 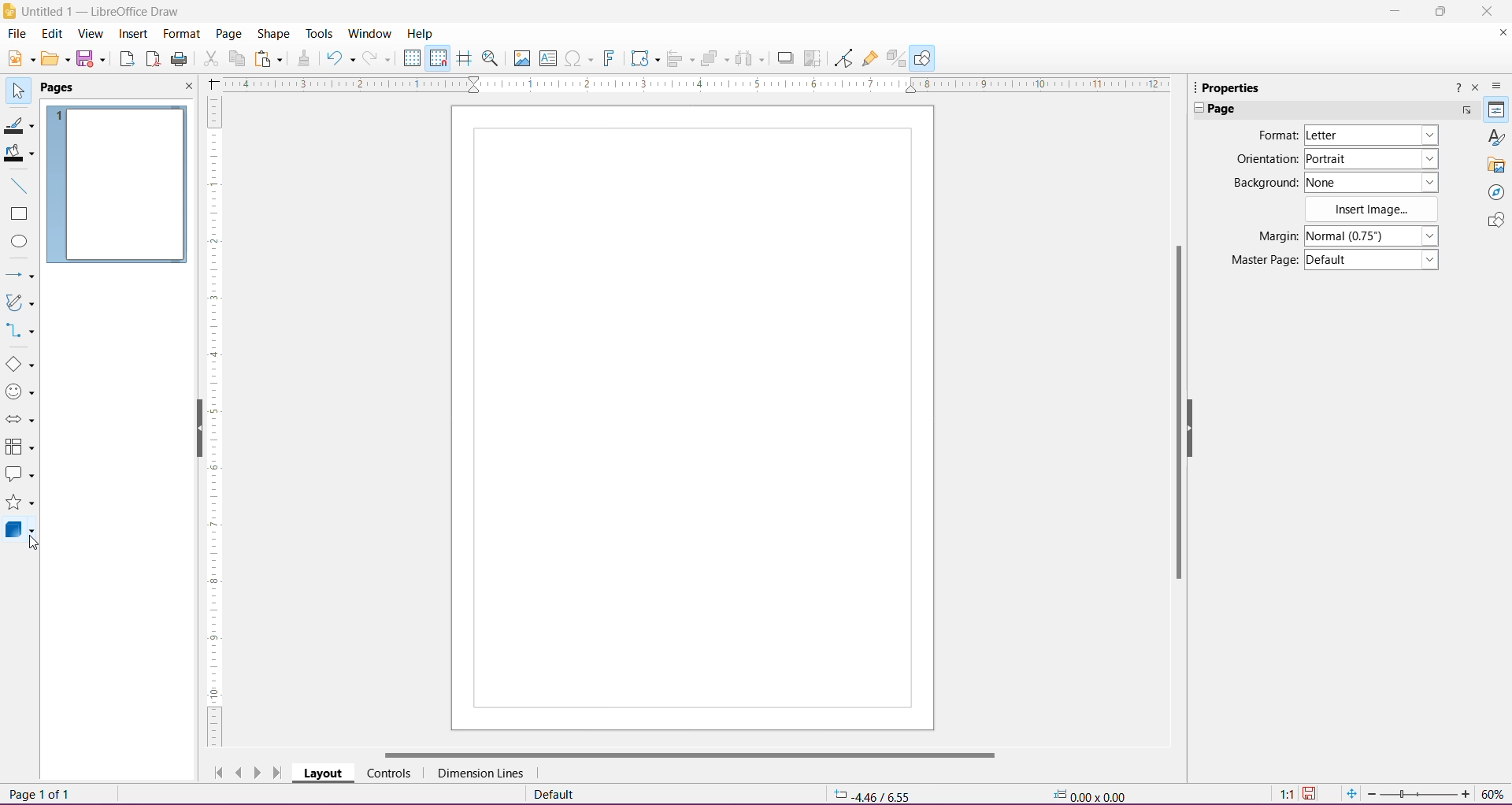 I want to click on Insert, so click(x=134, y=35).